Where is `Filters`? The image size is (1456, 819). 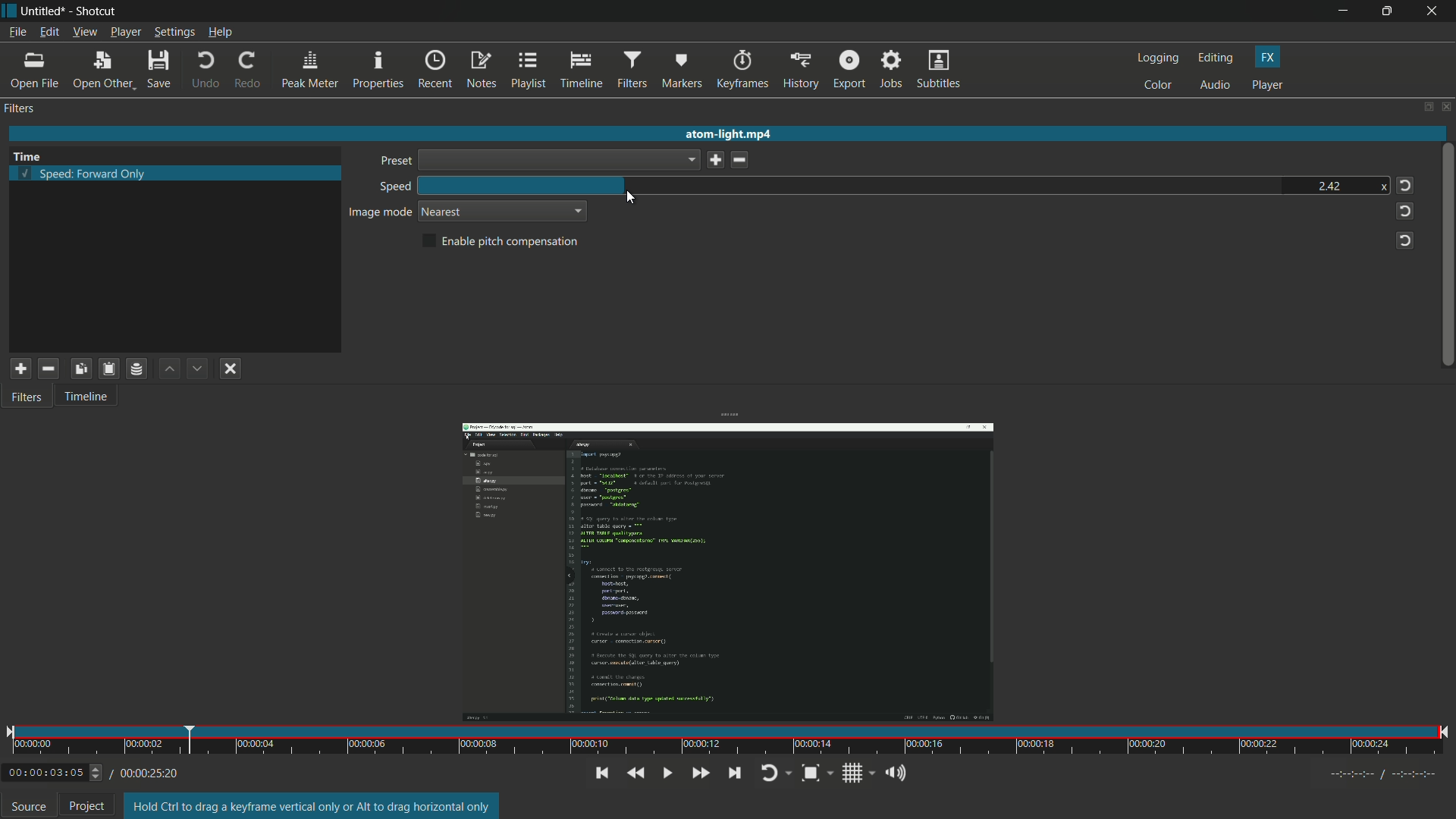
Filters is located at coordinates (33, 401).